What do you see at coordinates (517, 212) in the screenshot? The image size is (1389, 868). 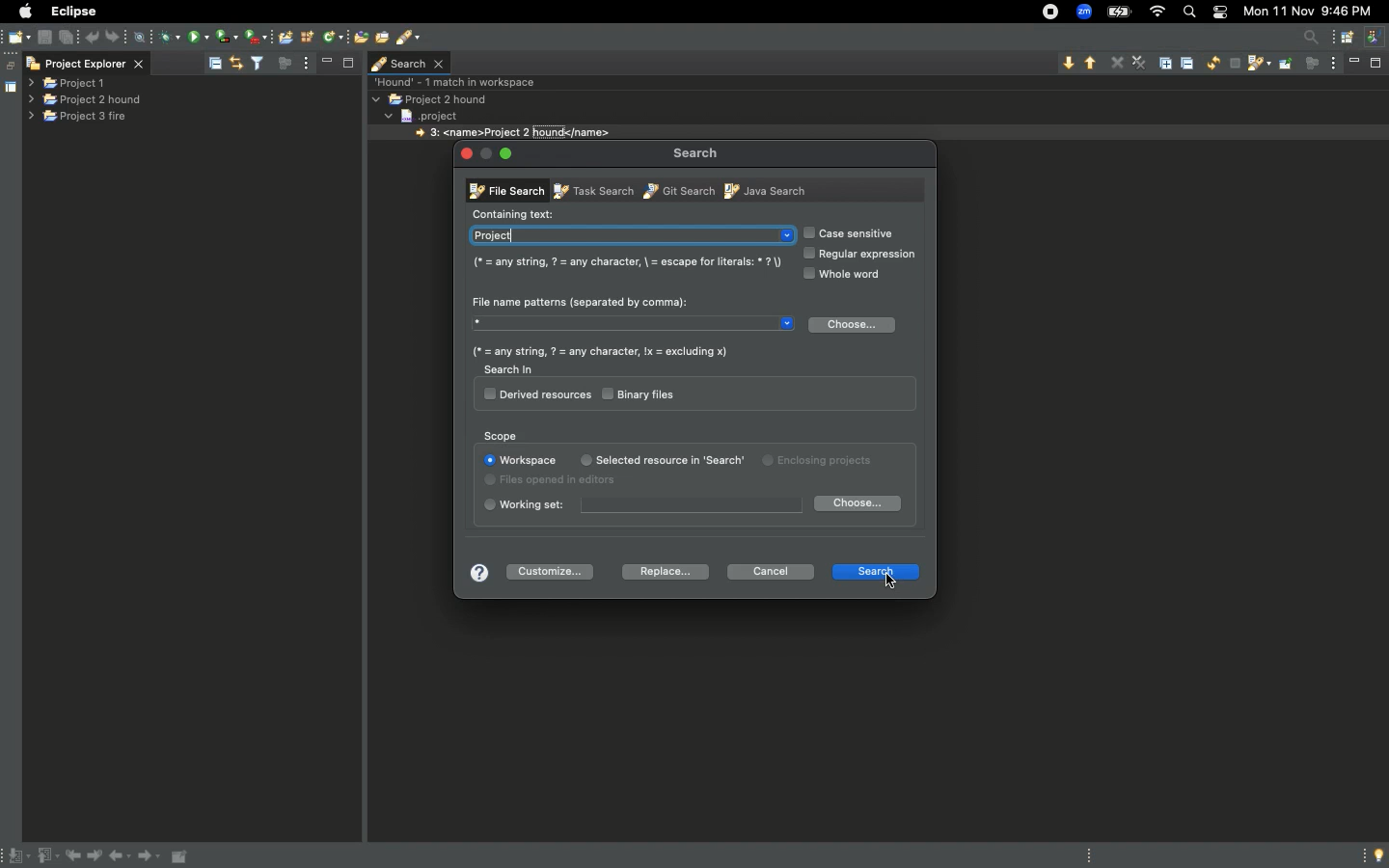 I see `Containing text` at bounding box center [517, 212].